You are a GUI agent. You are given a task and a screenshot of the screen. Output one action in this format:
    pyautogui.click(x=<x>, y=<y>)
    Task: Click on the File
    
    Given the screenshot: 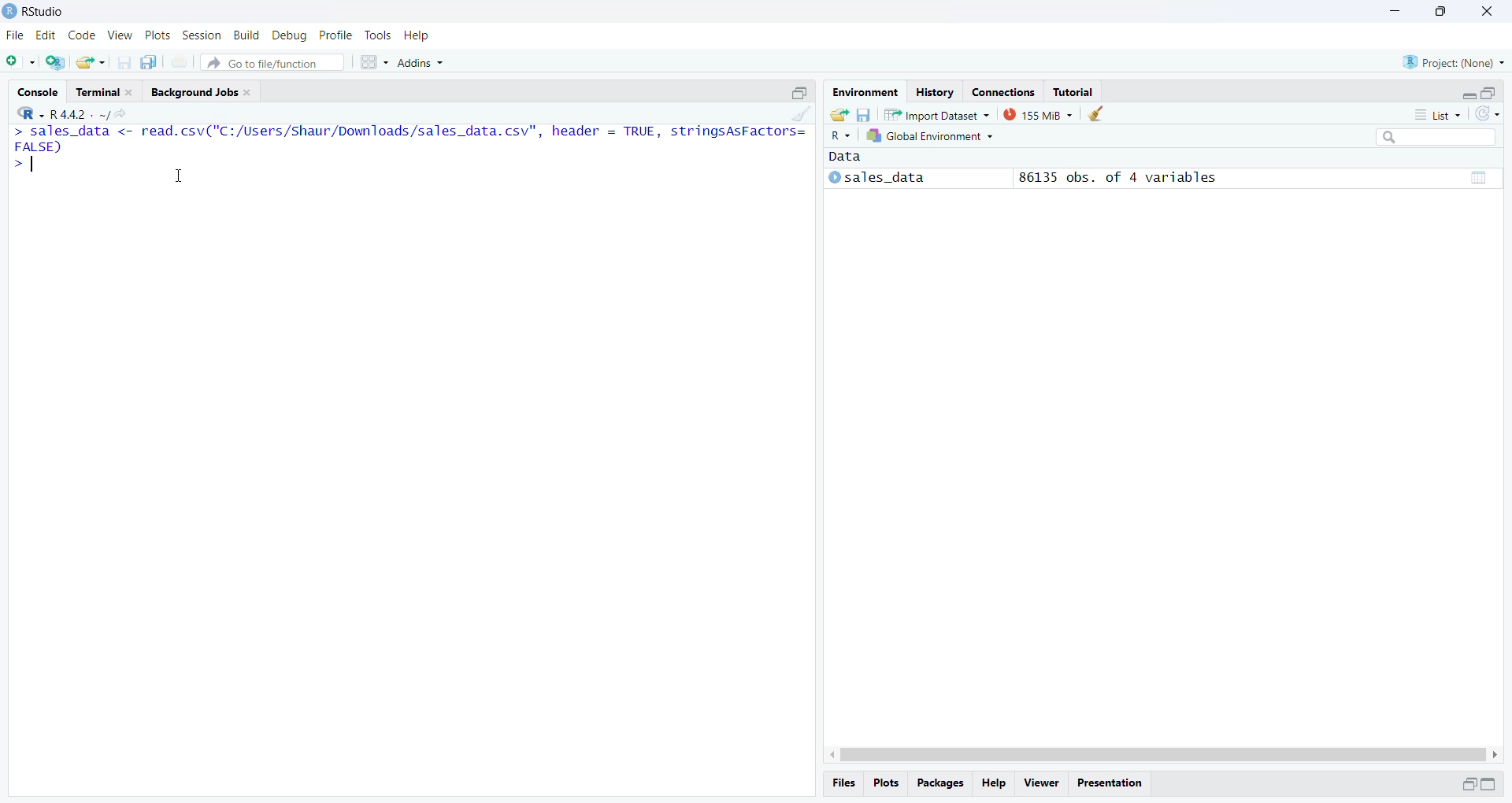 What is the action you would take?
    pyautogui.click(x=15, y=37)
    